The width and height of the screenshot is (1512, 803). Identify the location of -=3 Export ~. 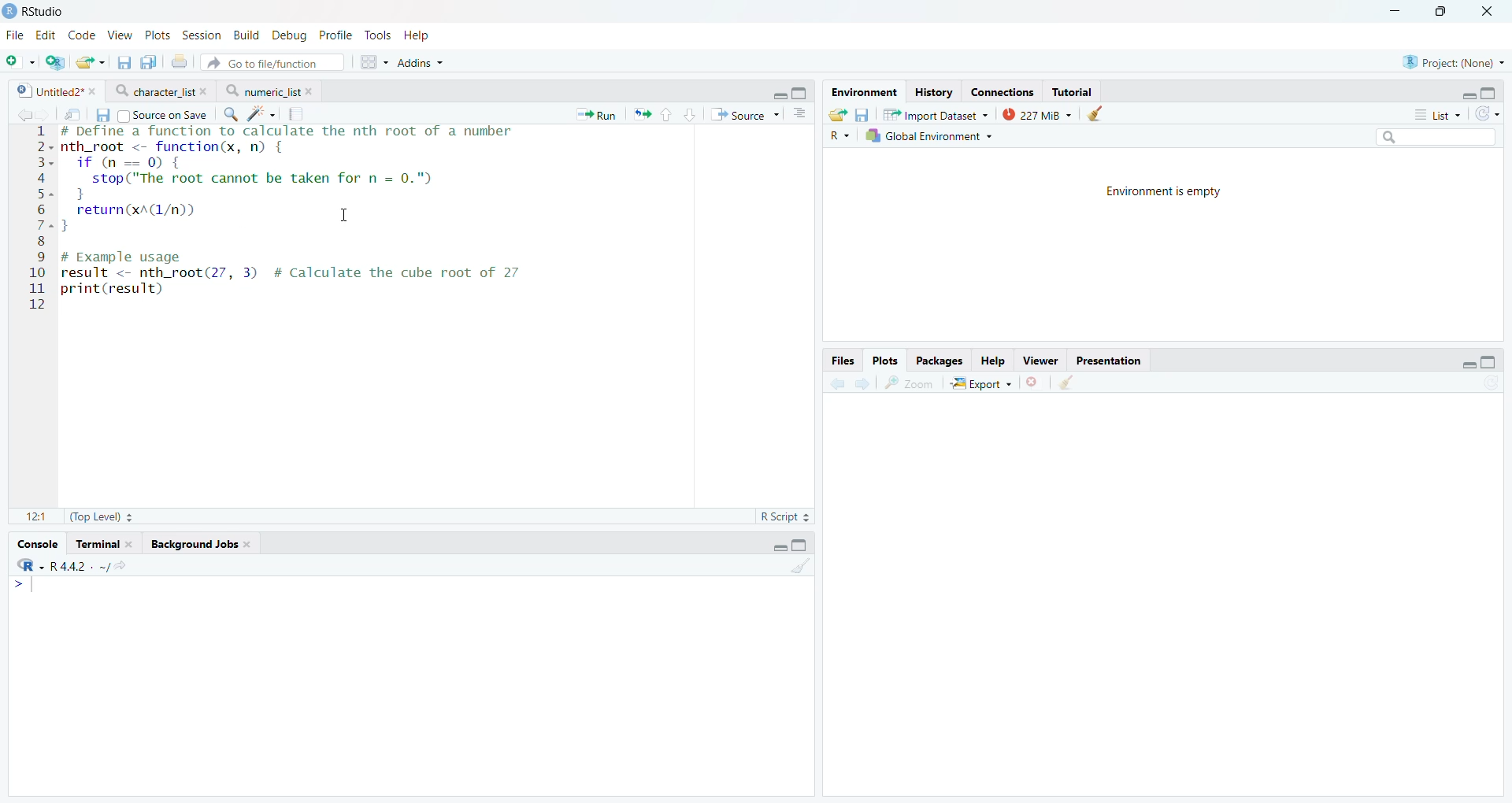
(980, 384).